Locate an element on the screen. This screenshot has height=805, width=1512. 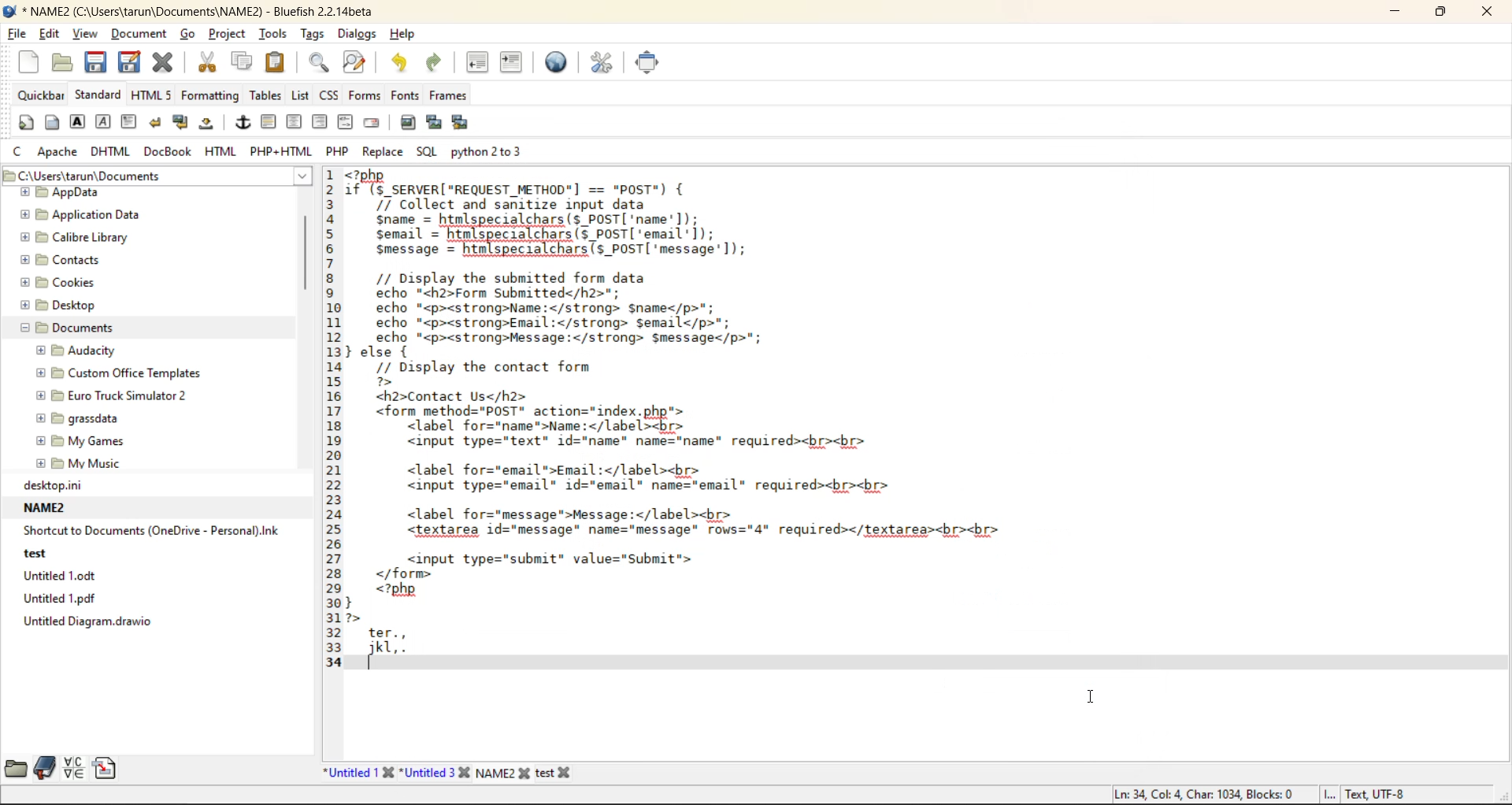
insertion cursor is located at coordinates (1093, 697).